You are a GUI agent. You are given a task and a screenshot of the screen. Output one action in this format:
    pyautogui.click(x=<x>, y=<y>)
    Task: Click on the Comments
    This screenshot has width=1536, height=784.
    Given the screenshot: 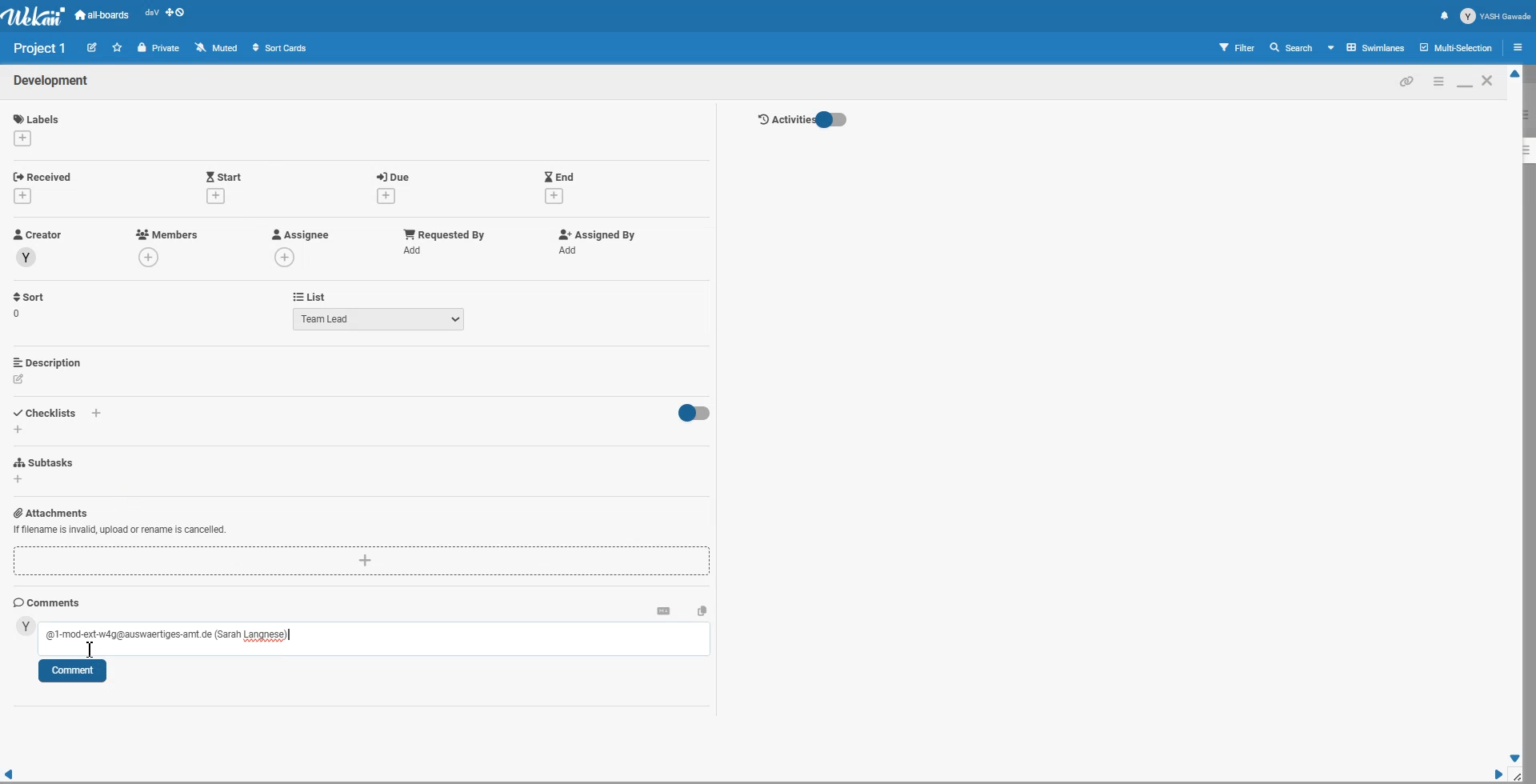 What is the action you would take?
    pyautogui.click(x=47, y=602)
    